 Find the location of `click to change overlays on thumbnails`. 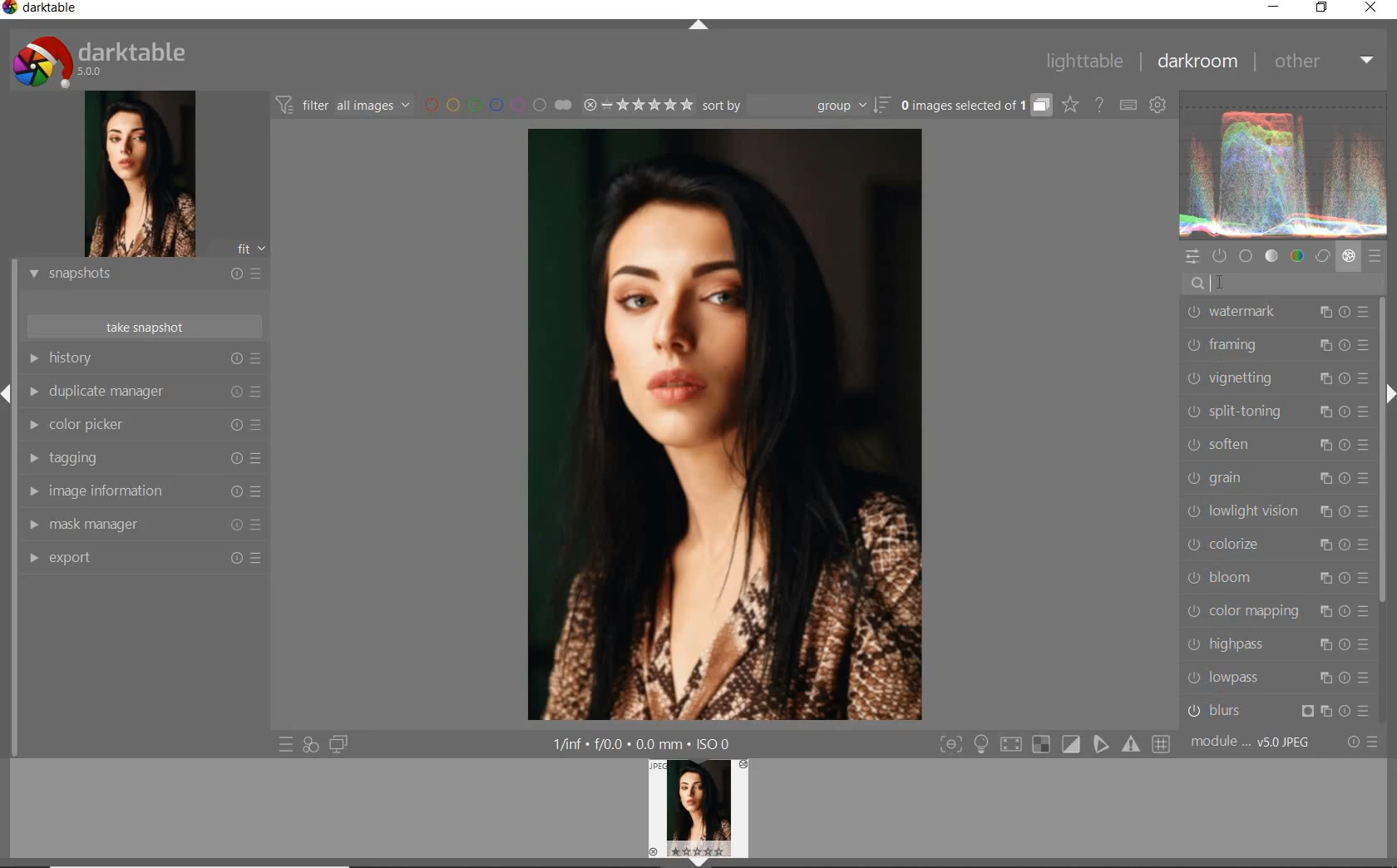

click to change overlays on thumbnails is located at coordinates (1071, 106).